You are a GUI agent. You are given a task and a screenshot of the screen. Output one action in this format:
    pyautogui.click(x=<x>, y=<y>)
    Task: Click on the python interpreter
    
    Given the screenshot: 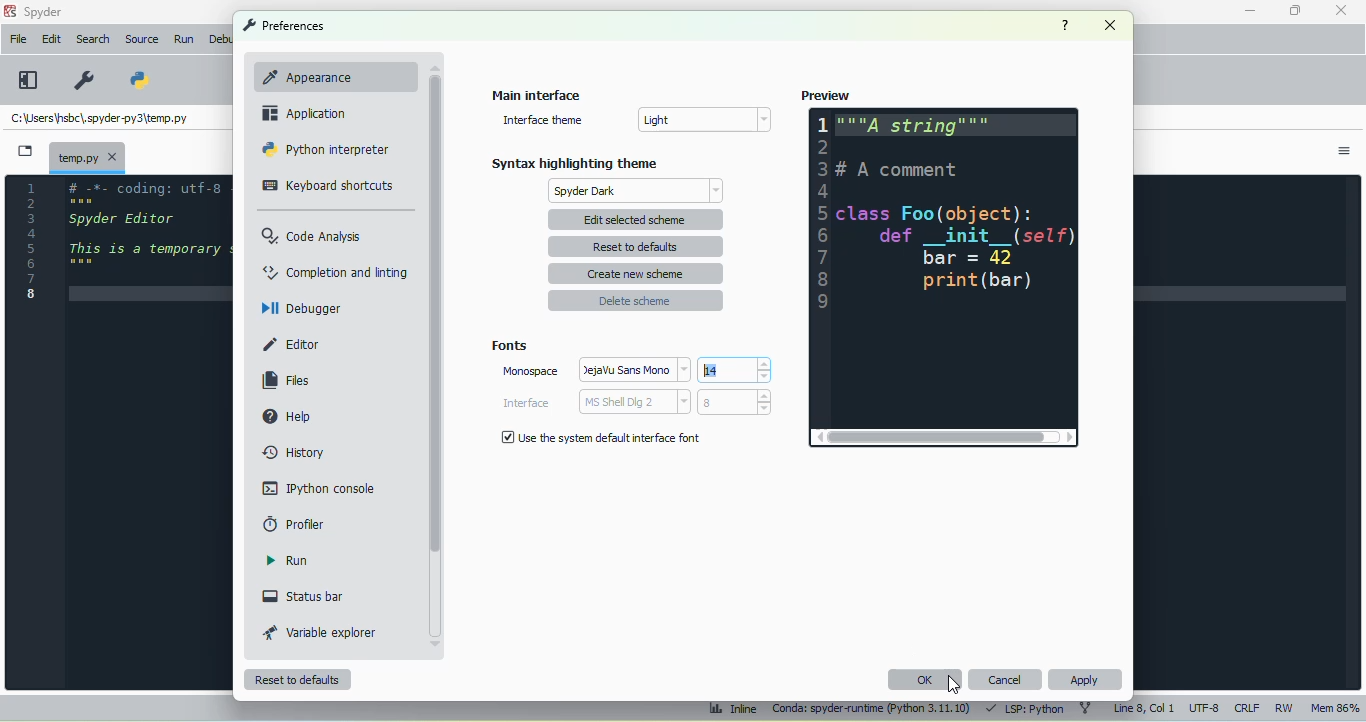 What is the action you would take?
    pyautogui.click(x=327, y=149)
    